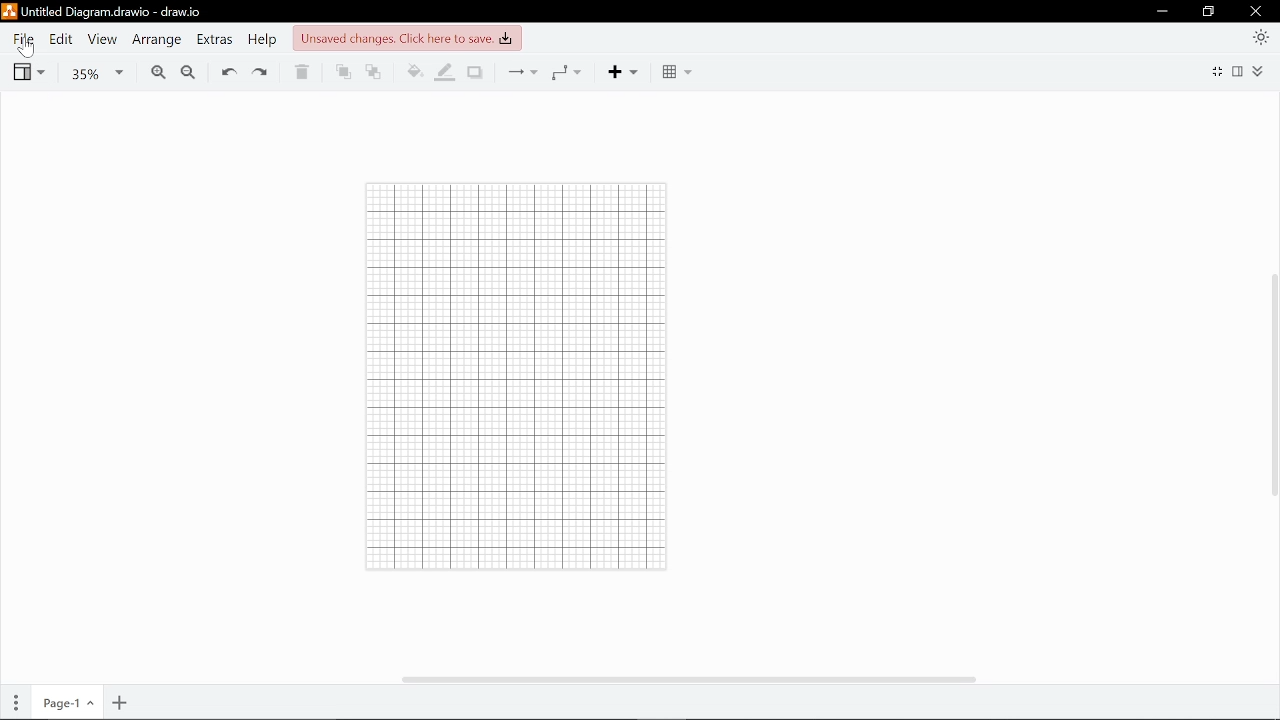 Image resolution: width=1280 pixels, height=720 pixels. I want to click on Edit, so click(62, 40).